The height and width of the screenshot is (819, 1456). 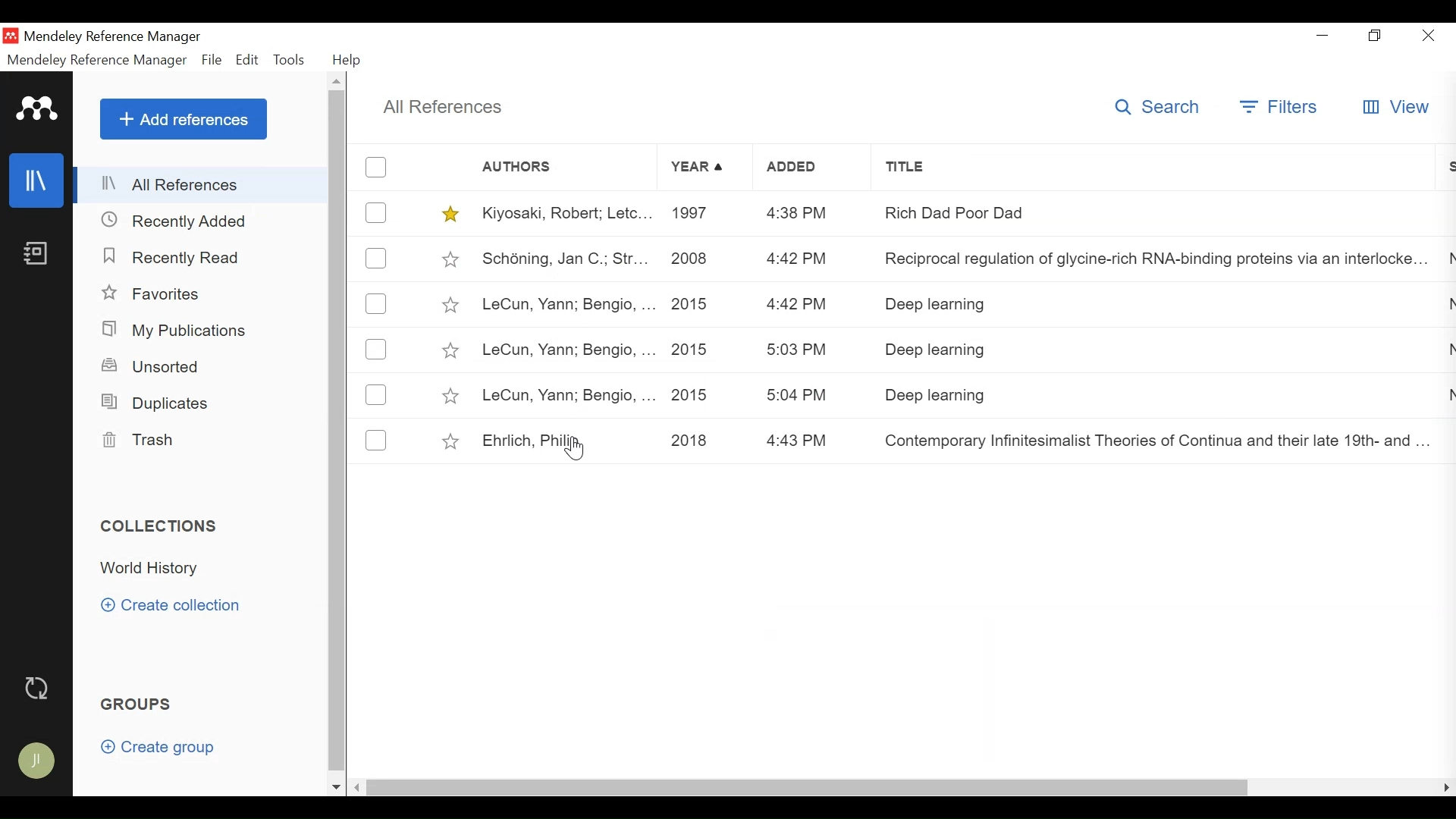 What do you see at coordinates (376, 395) in the screenshot?
I see `(un)select` at bounding box center [376, 395].